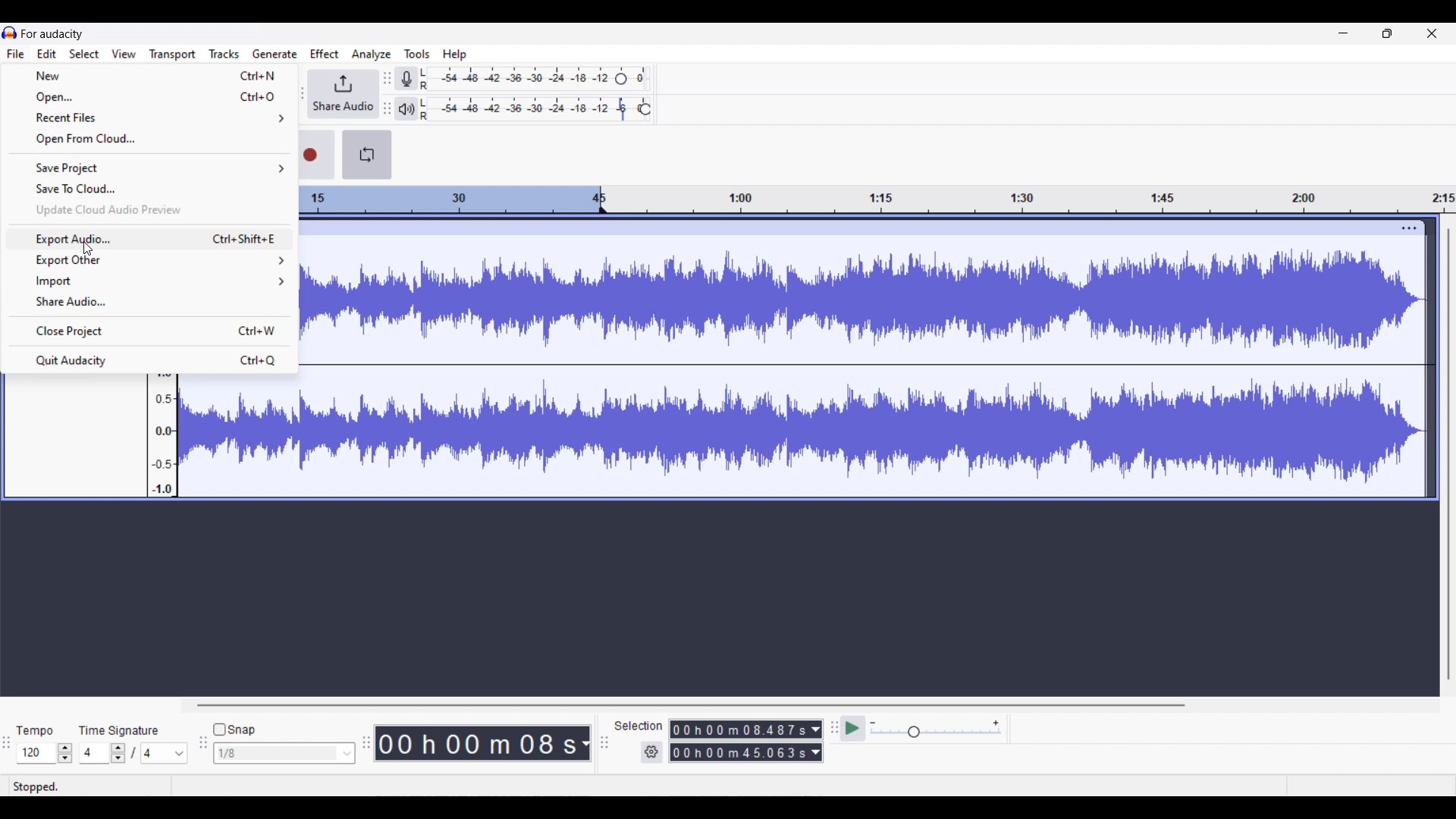 The width and height of the screenshot is (1456, 819). I want to click on Effect menu, so click(324, 53).